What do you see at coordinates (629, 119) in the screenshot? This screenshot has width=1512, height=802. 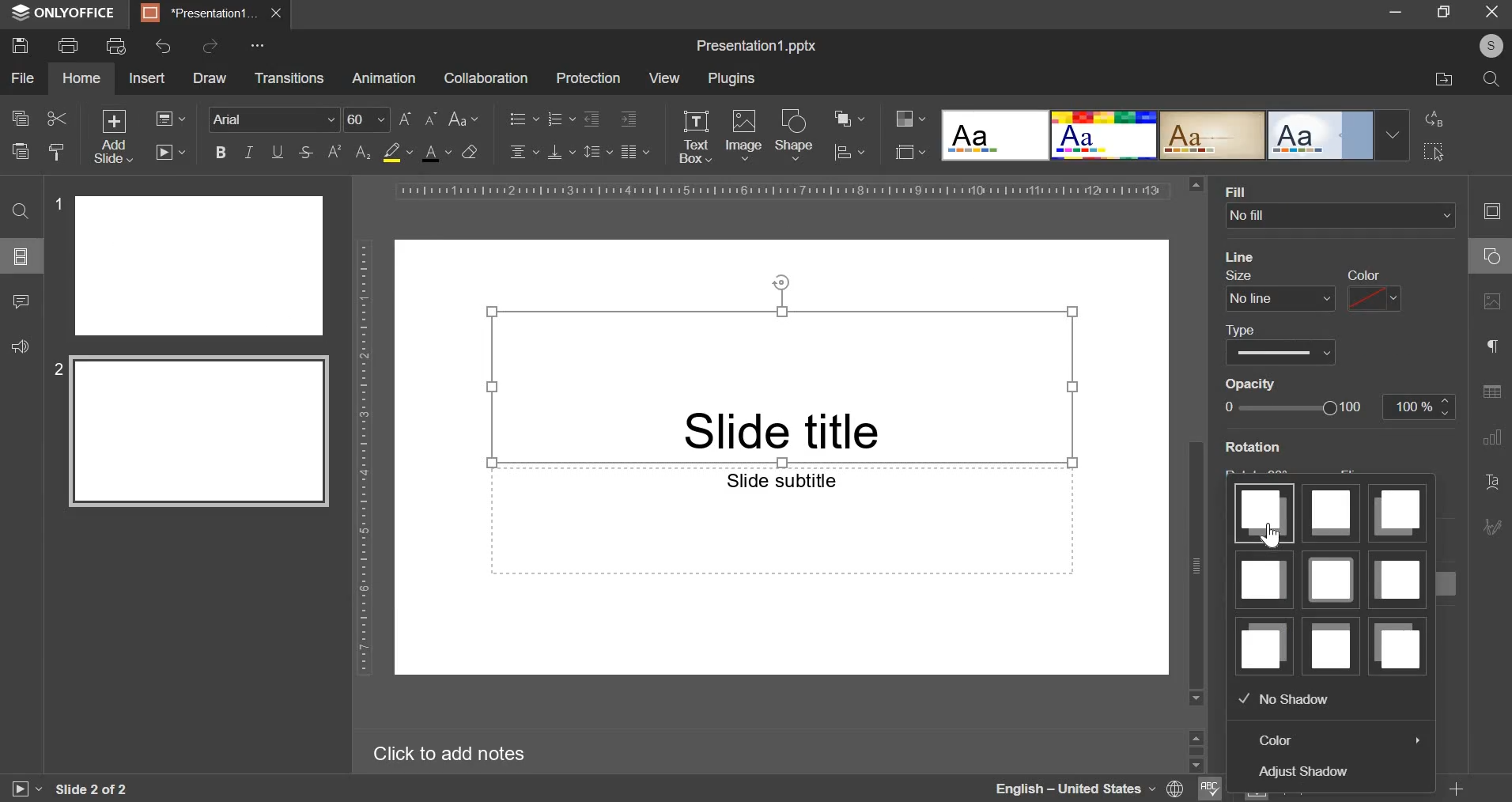 I see `increase indent` at bounding box center [629, 119].